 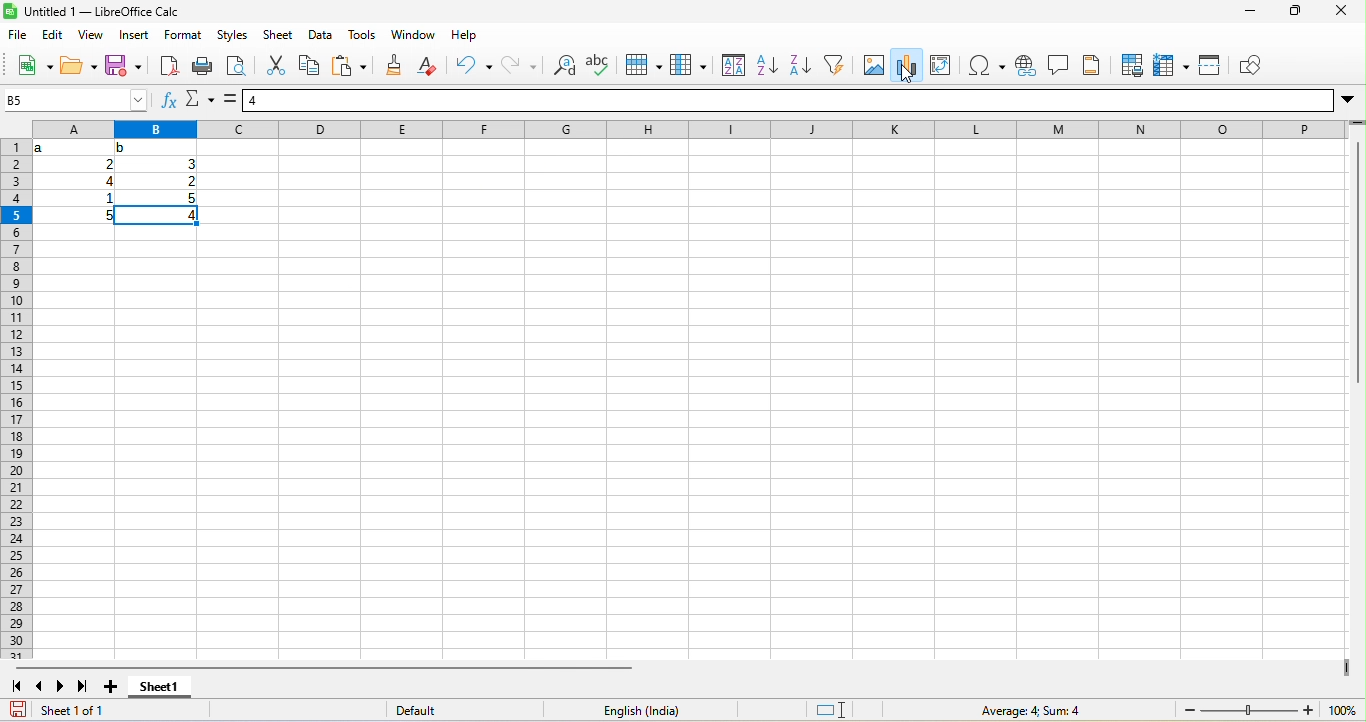 I want to click on name box, so click(x=76, y=100).